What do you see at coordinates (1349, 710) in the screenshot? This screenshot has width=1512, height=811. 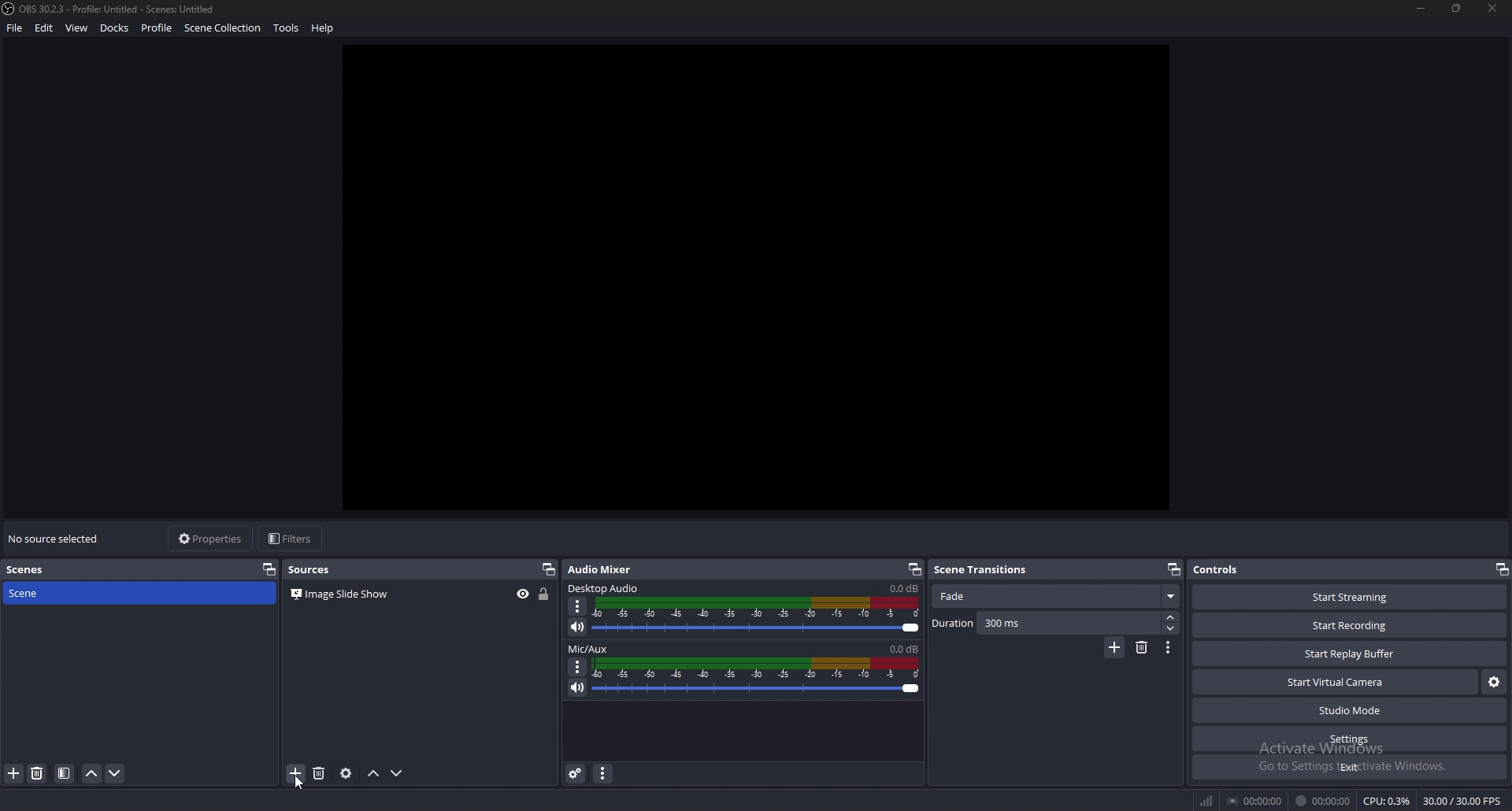 I see `studio mode` at bounding box center [1349, 710].